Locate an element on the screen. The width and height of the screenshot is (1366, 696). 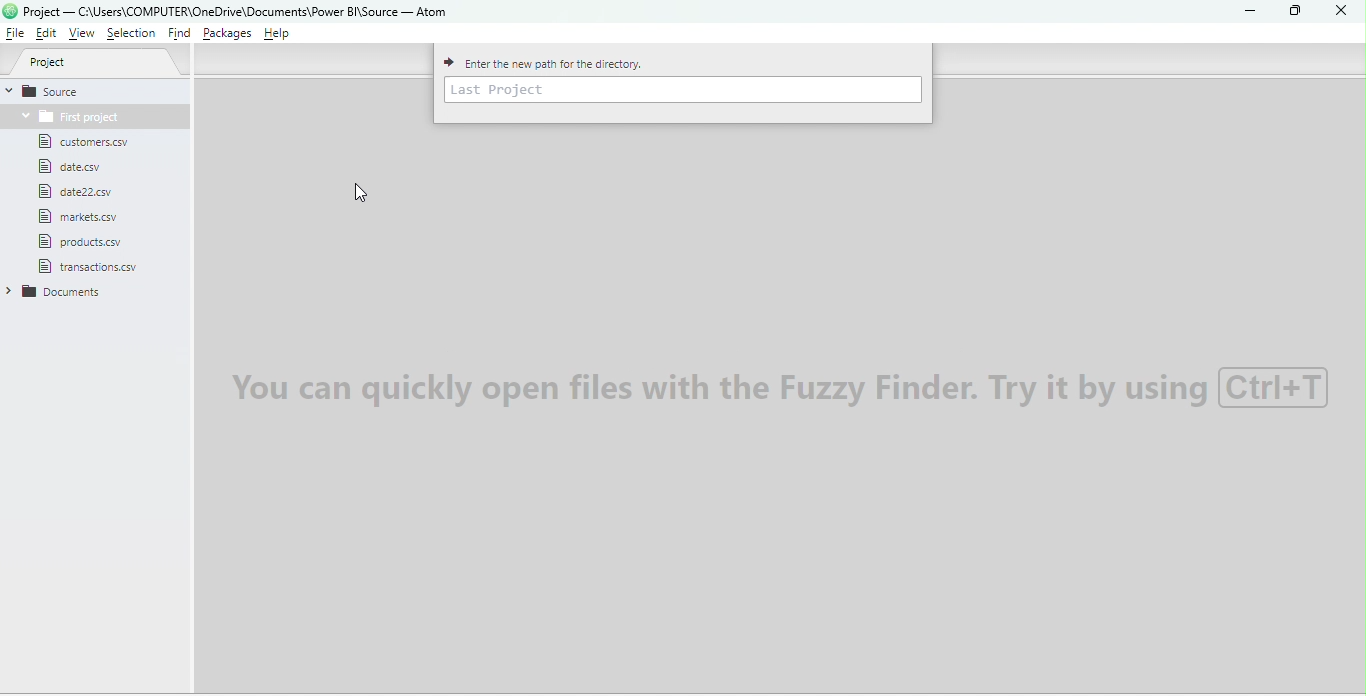
View is located at coordinates (83, 34).